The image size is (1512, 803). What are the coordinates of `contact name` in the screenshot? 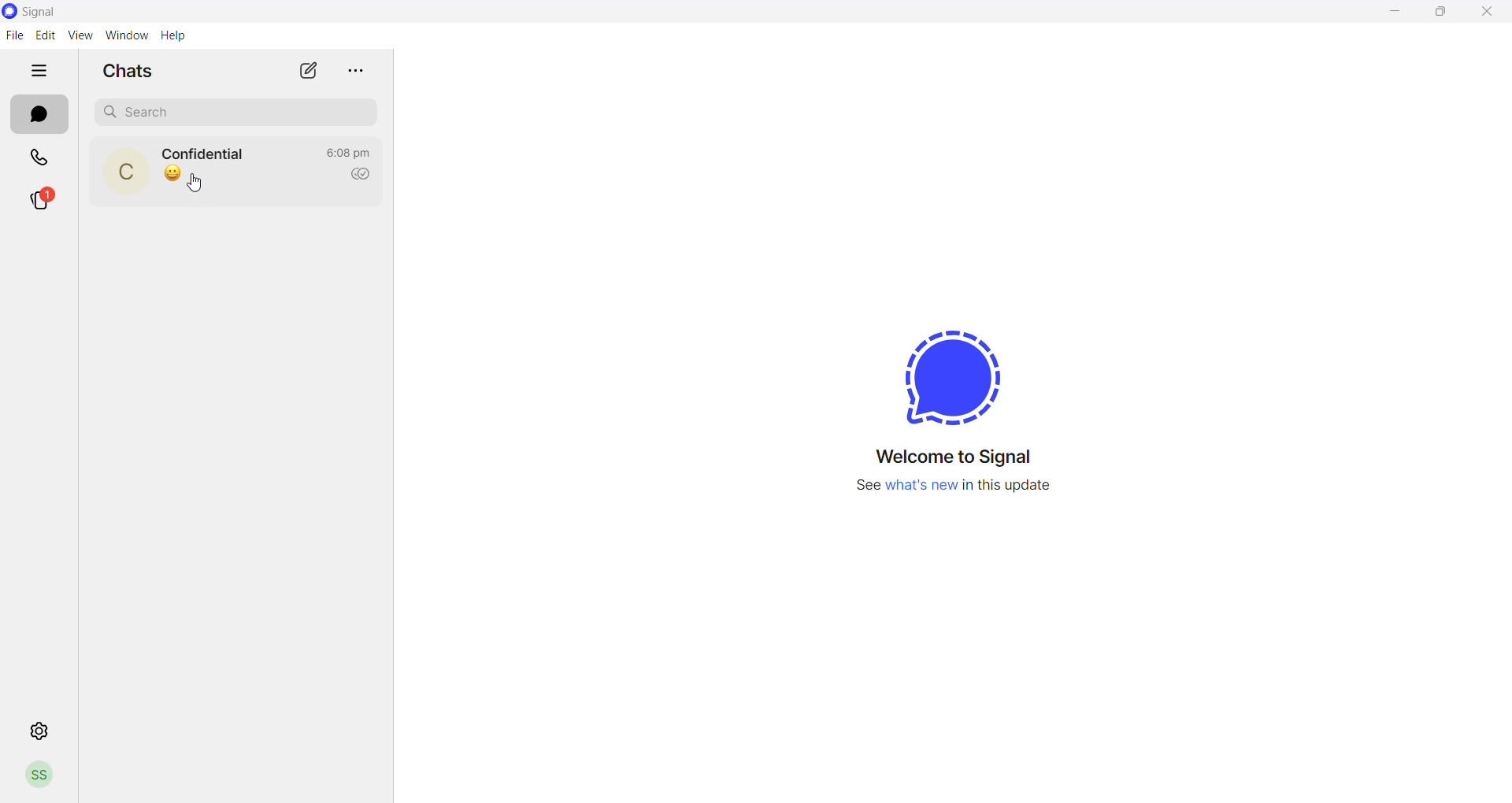 It's located at (209, 154).